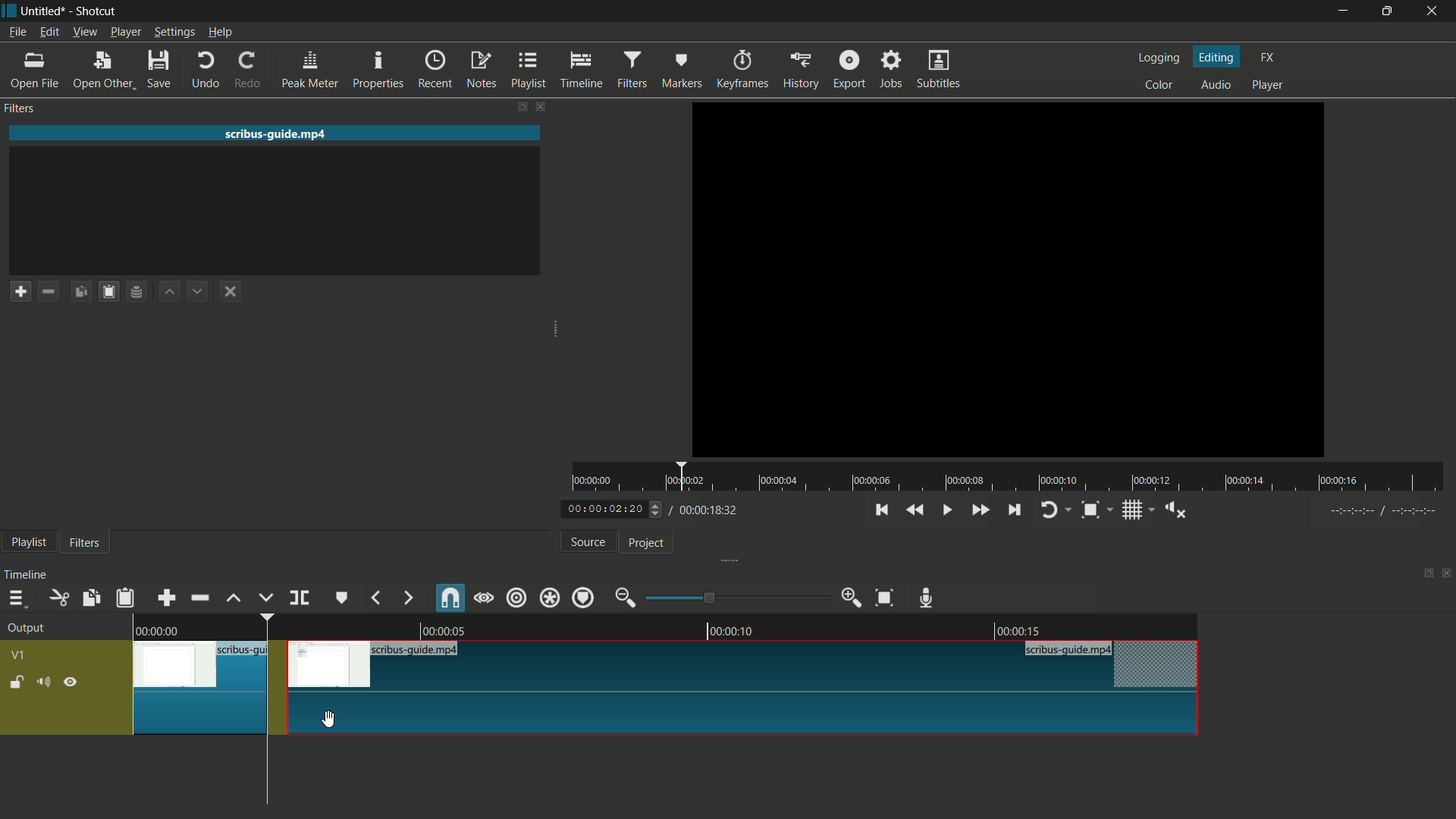 This screenshot has width=1456, height=819. I want to click on deselect the filter, so click(227, 293).